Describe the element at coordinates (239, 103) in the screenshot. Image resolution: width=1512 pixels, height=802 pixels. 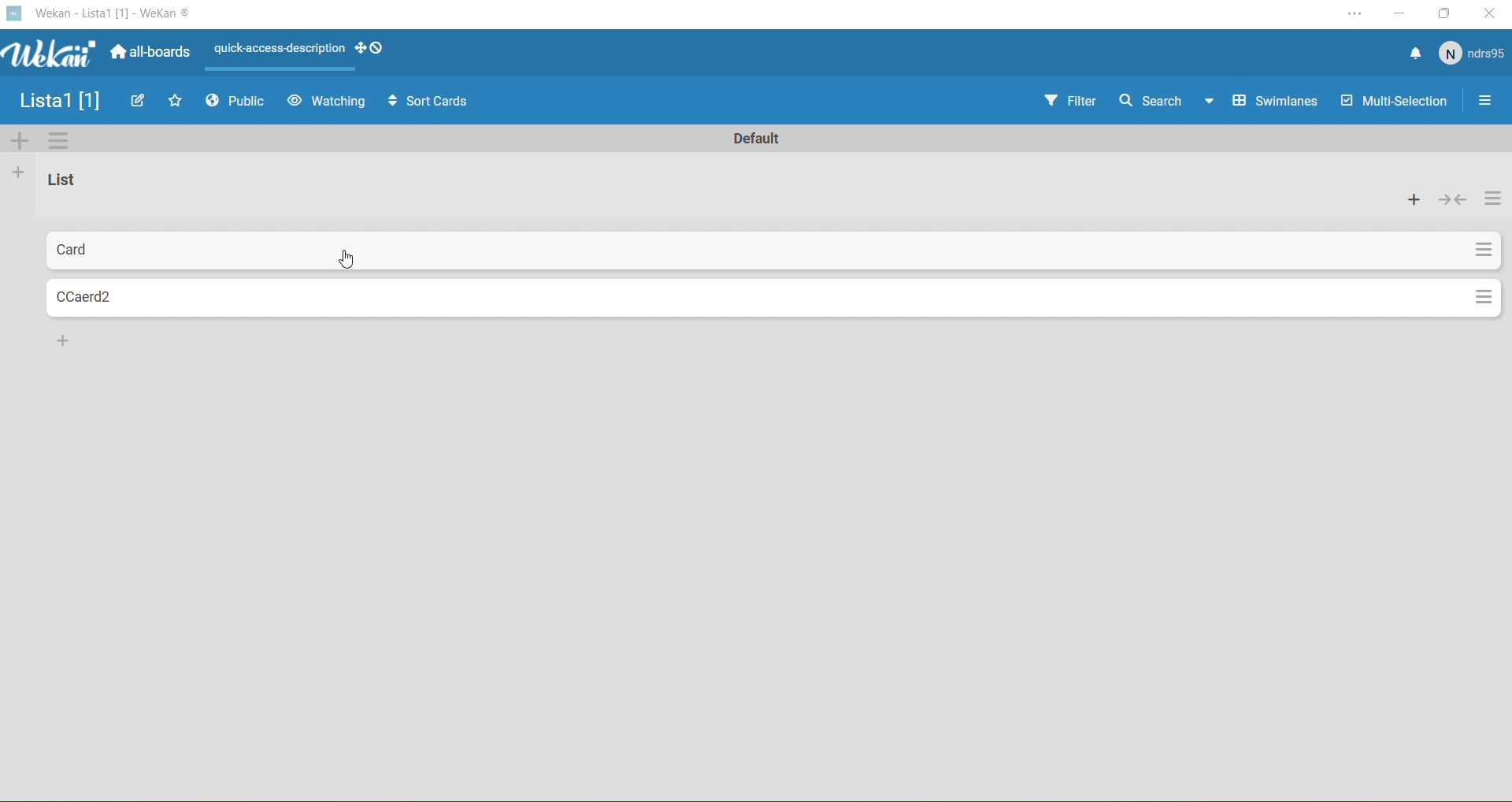
I see `Public` at that location.